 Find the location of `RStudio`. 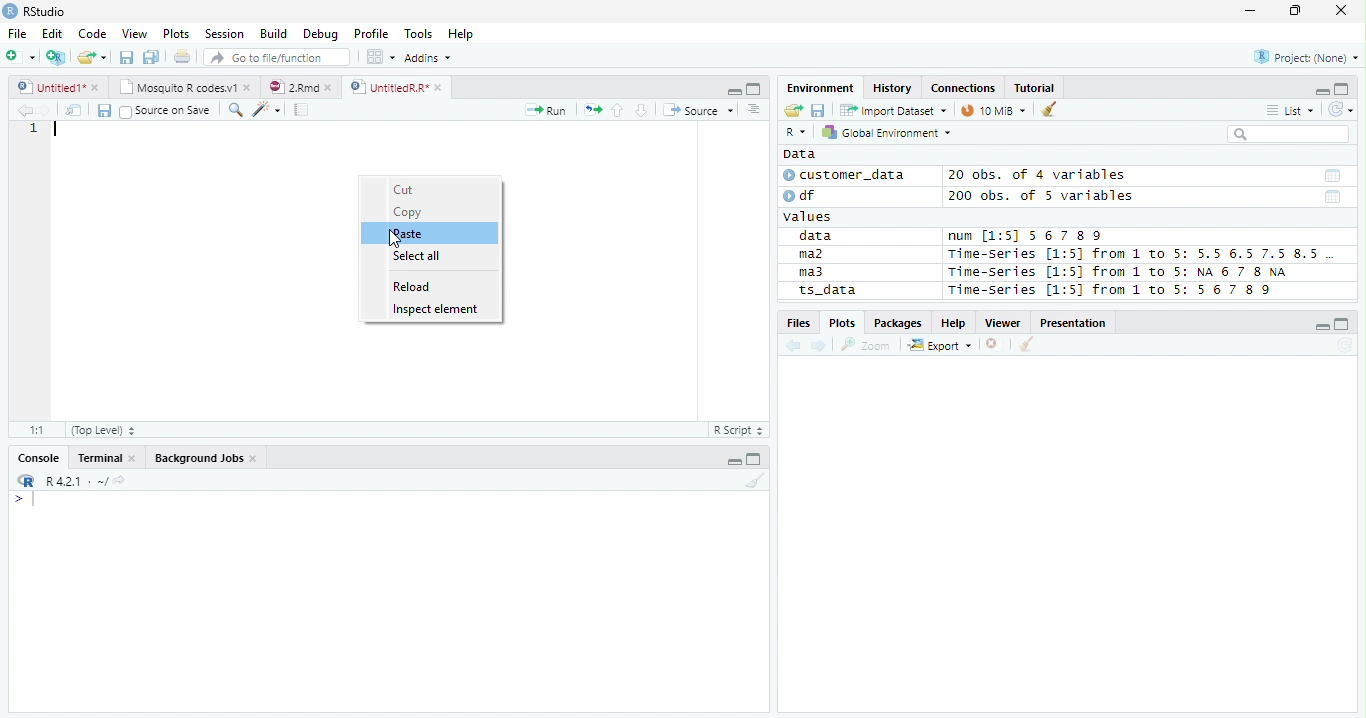

RStudio is located at coordinates (35, 12).